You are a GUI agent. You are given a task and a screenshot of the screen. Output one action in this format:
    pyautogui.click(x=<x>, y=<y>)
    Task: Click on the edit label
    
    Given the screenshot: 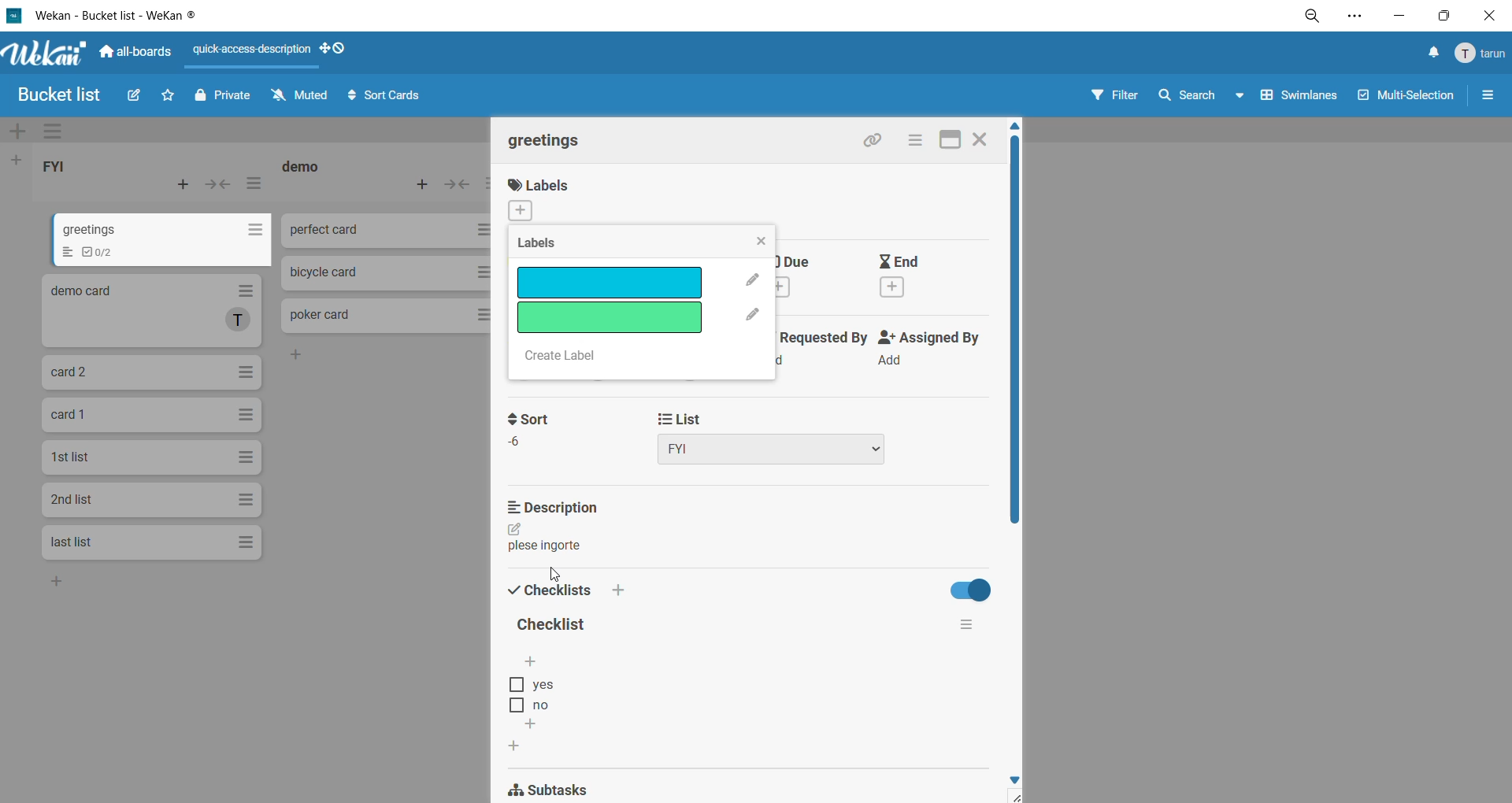 What is the action you would take?
    pyautogui.click(x=751, y=297)
    